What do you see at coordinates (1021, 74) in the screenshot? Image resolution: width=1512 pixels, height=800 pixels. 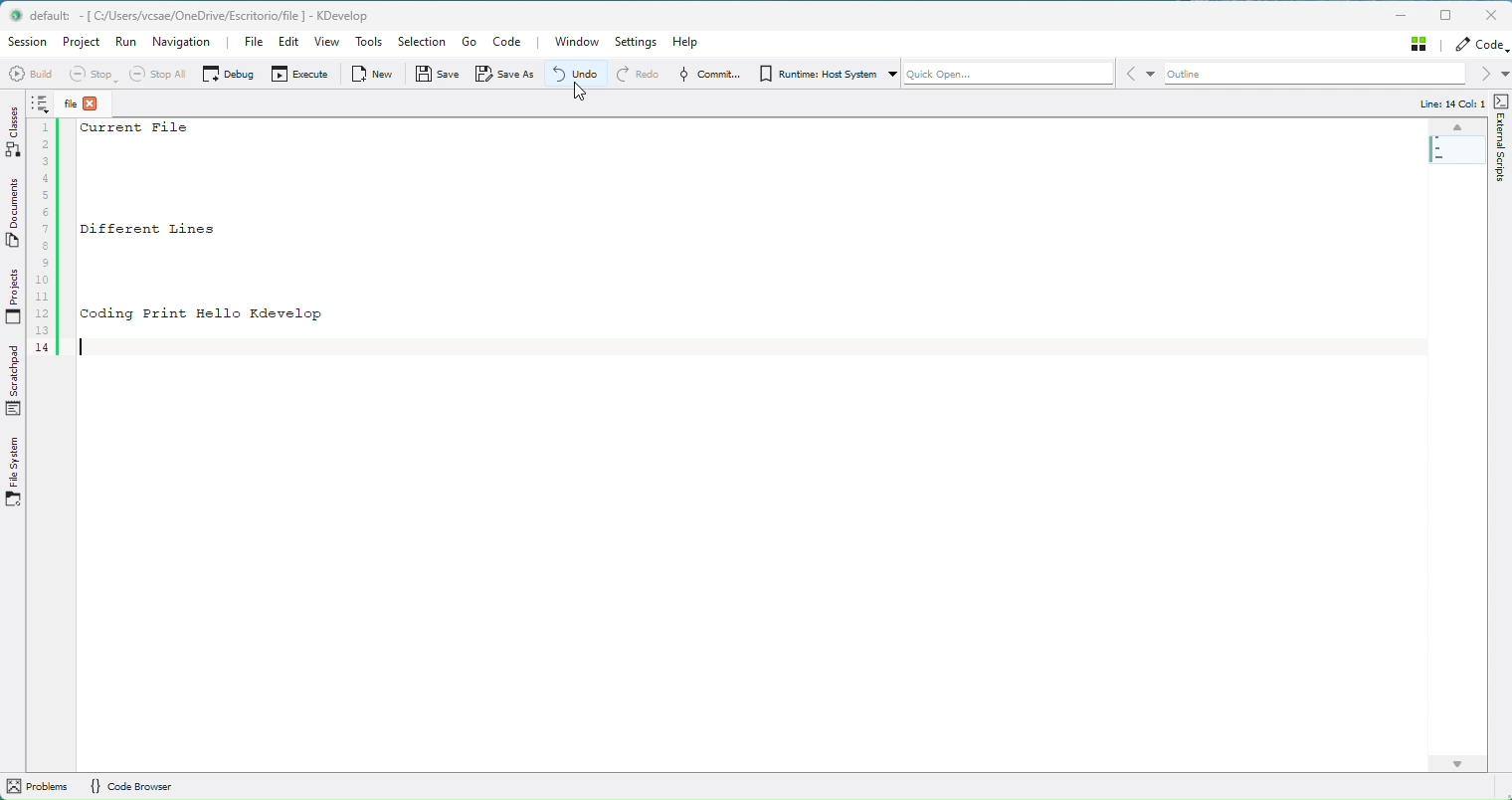 I see `Quick Open` at bounding box center [1021, 74].